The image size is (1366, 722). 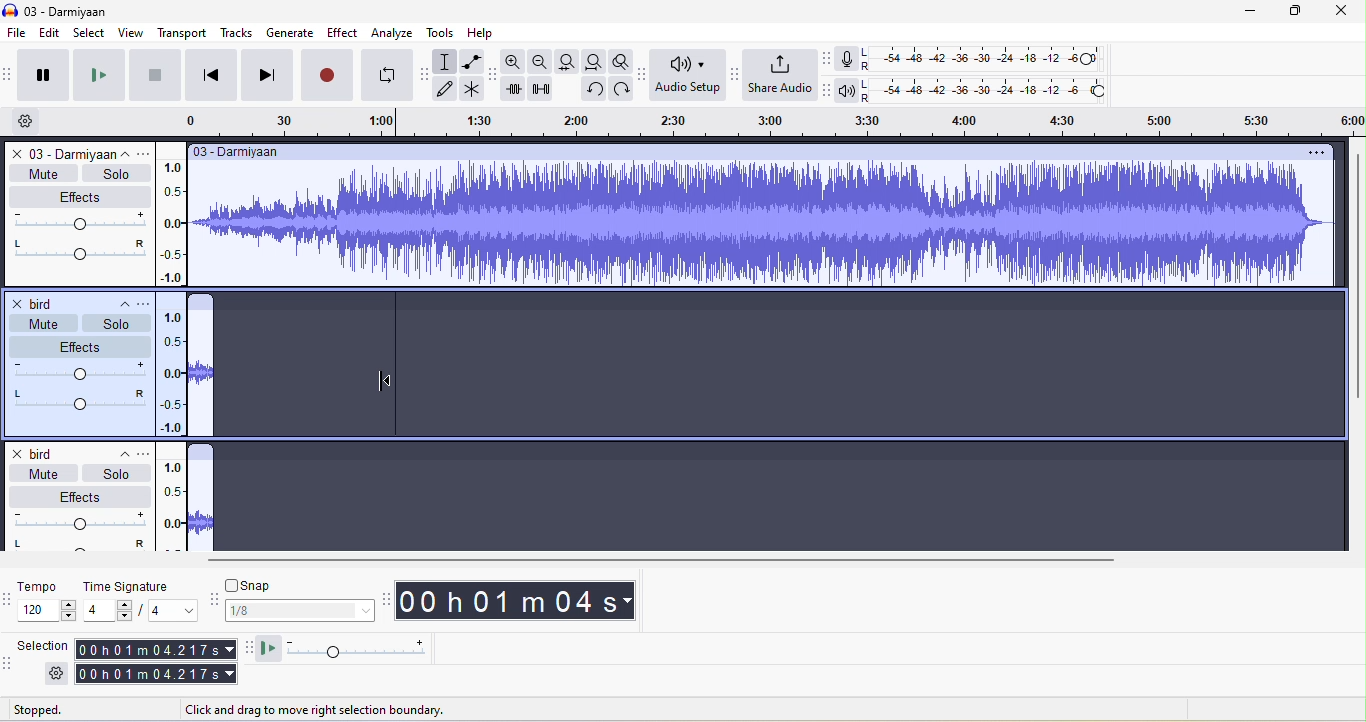 I want to click on audacity play back meter toolbar, so click(x=832, y=90).